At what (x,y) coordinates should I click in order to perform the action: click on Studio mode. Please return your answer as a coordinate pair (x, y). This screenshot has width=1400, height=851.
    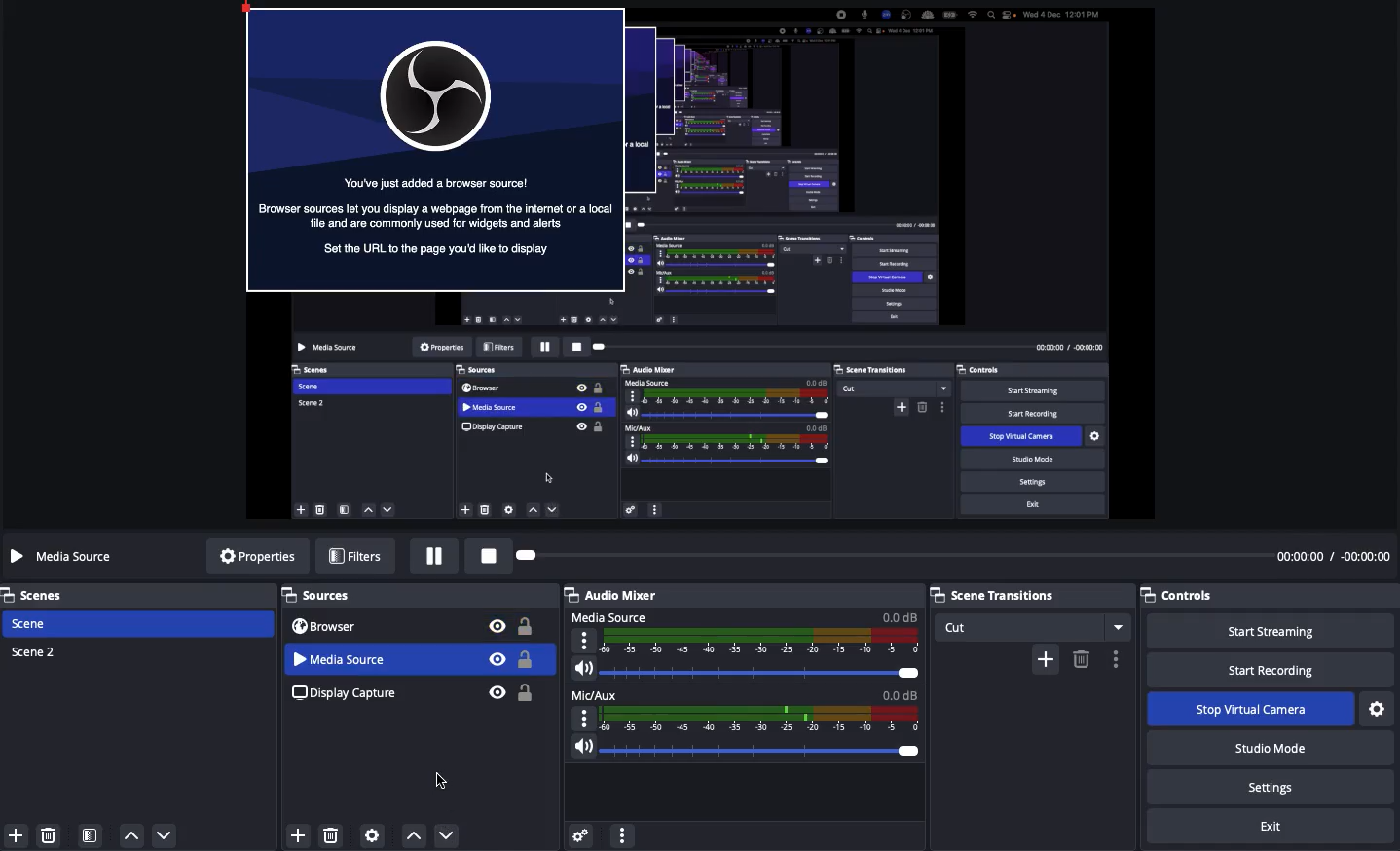
    Looking at the image, I should click on (1263, 746).